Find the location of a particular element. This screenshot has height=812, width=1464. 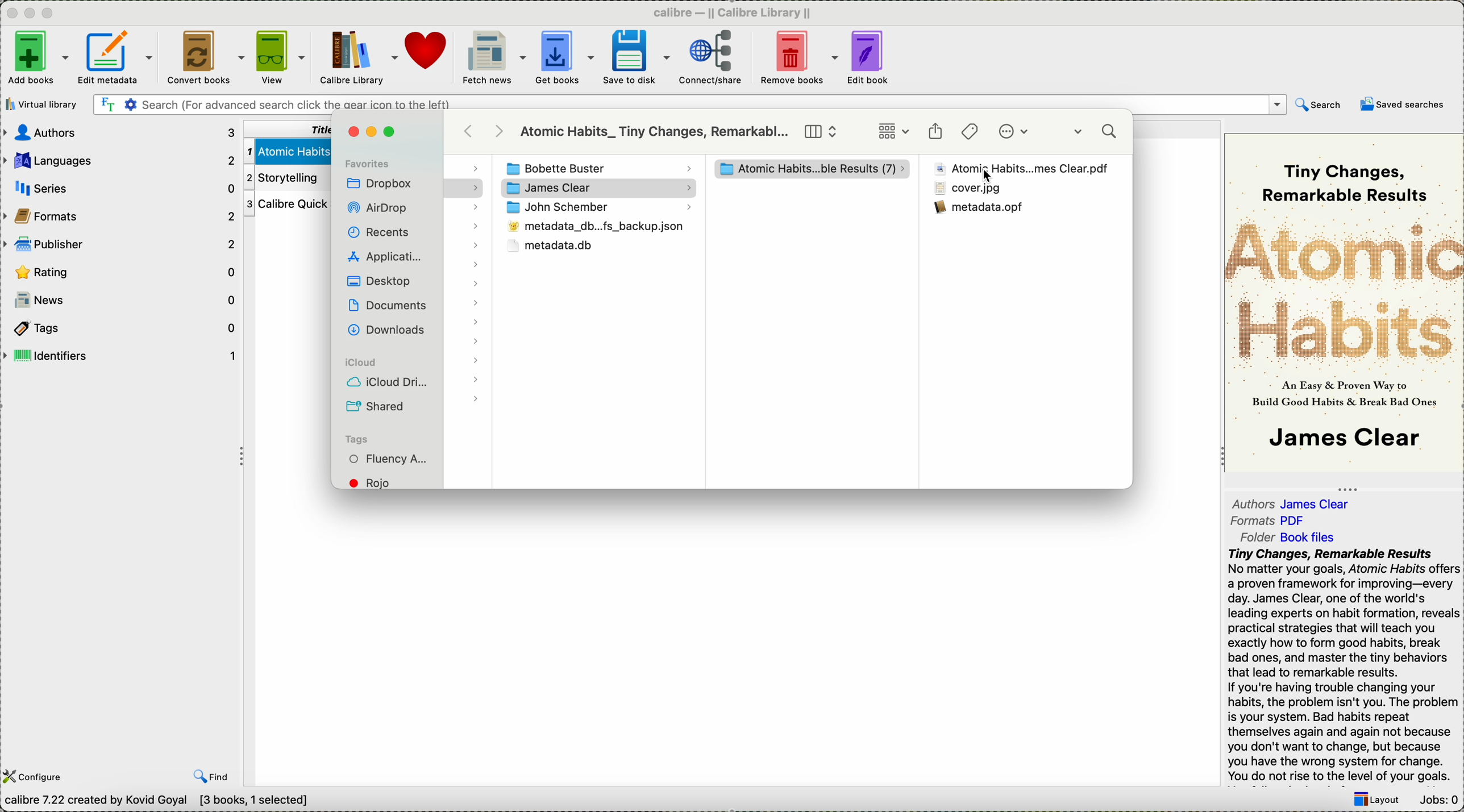

connect/share is located at coordinates (711, 60).